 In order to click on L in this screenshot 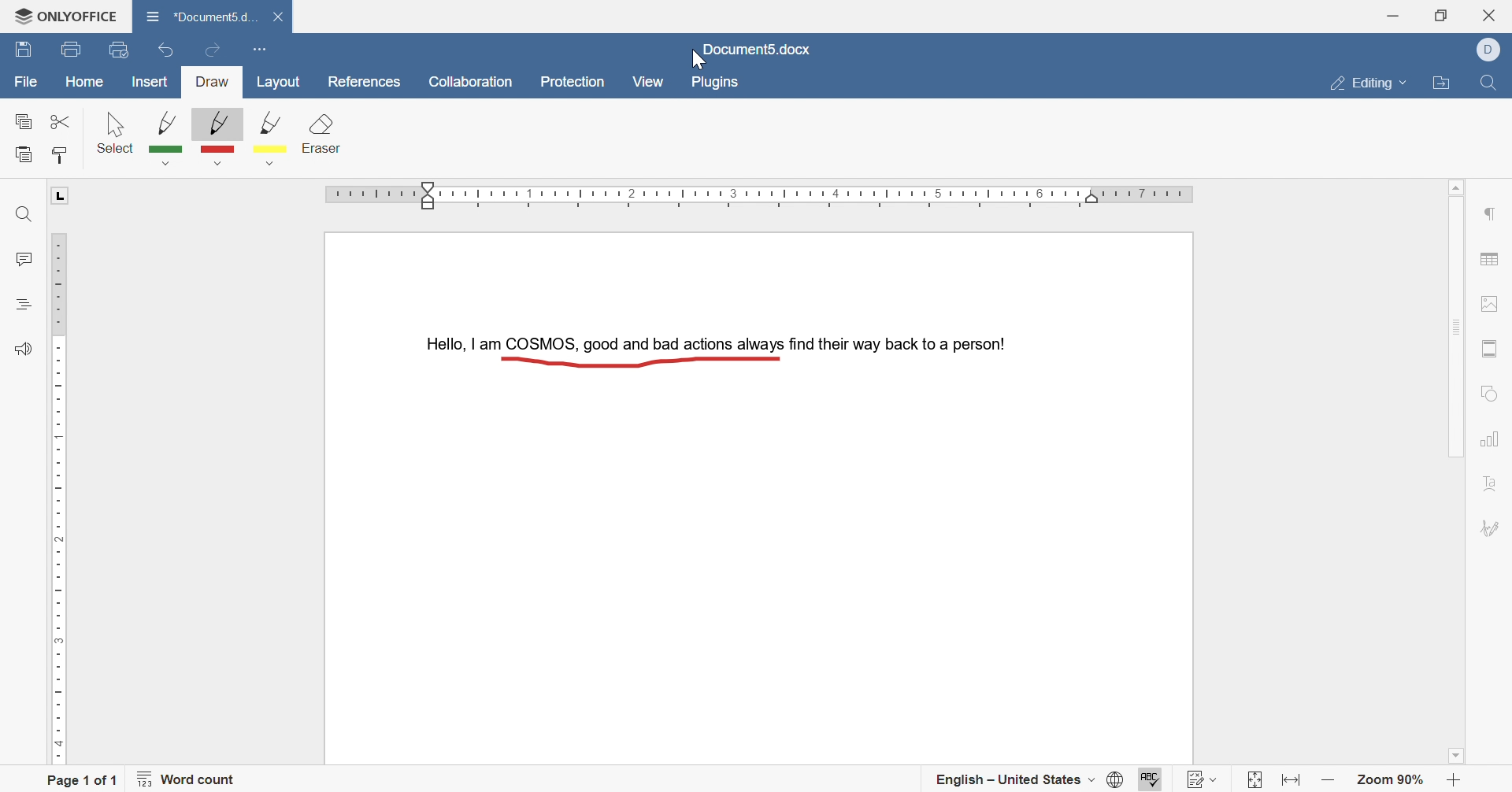, I will do `click(61, 196)`.